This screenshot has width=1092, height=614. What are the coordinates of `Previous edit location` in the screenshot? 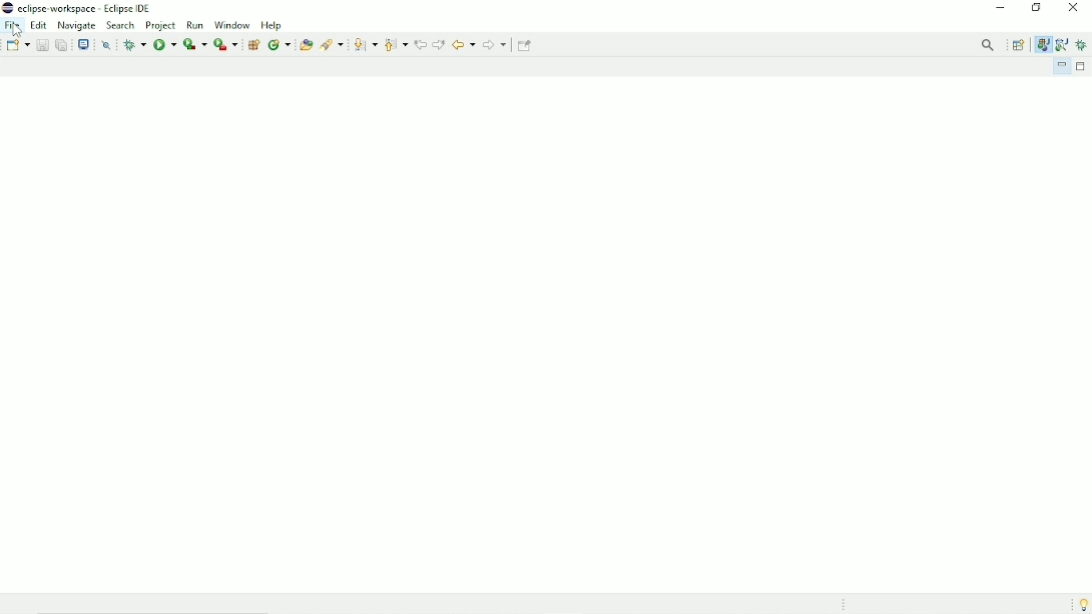 It's located at (420, 43).